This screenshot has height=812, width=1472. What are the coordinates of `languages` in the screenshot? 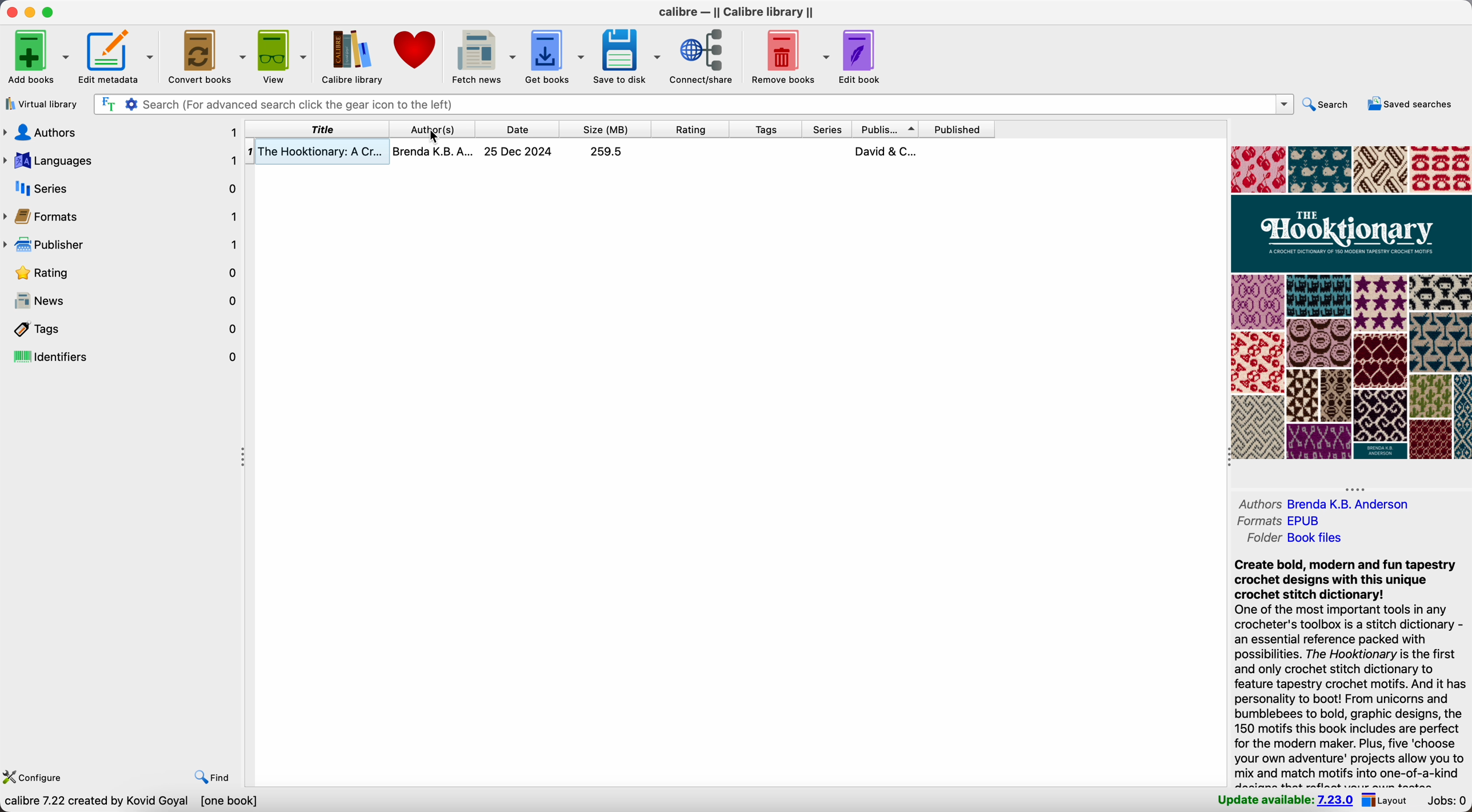 It's located at (122, 159).